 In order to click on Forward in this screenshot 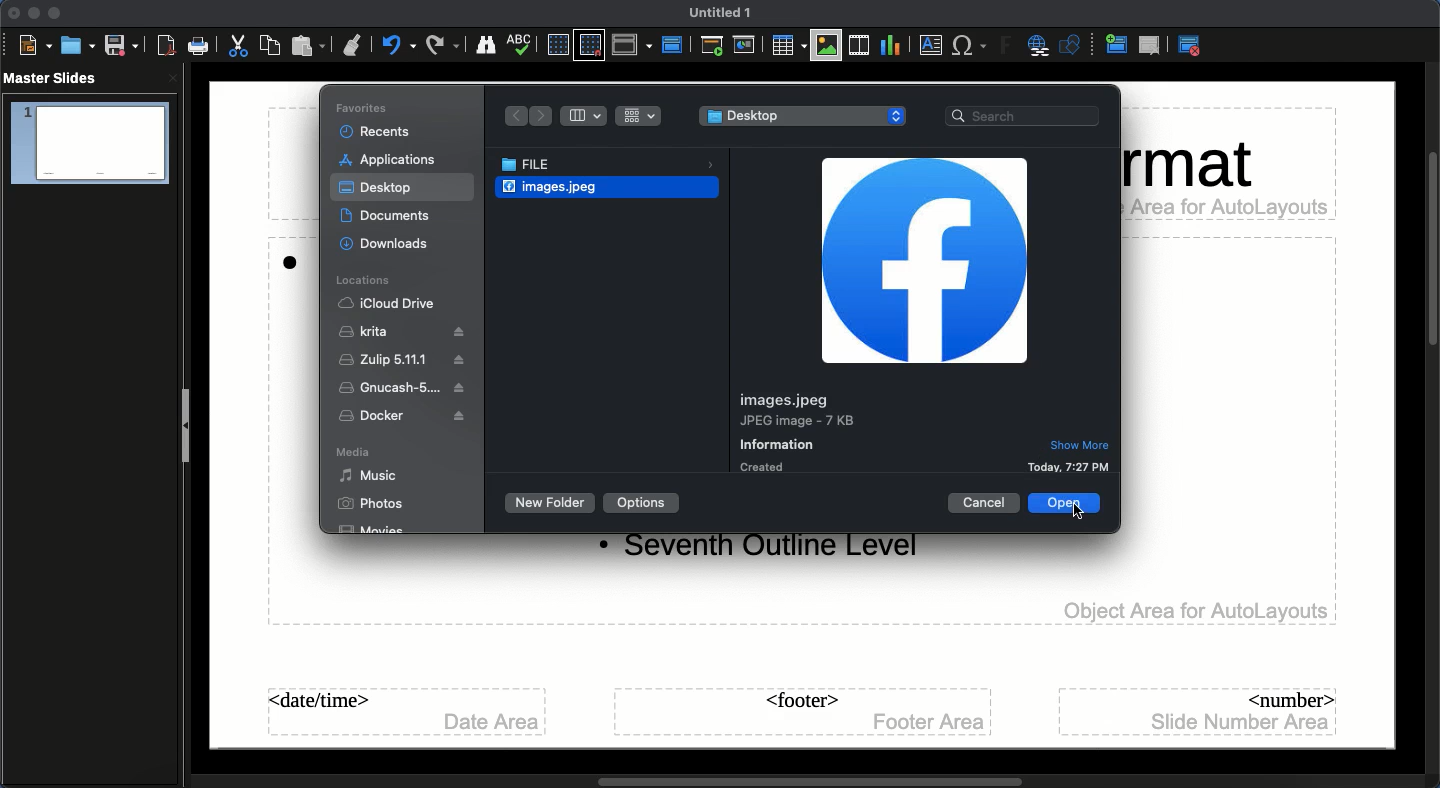, I will do `click(542, 117)`.